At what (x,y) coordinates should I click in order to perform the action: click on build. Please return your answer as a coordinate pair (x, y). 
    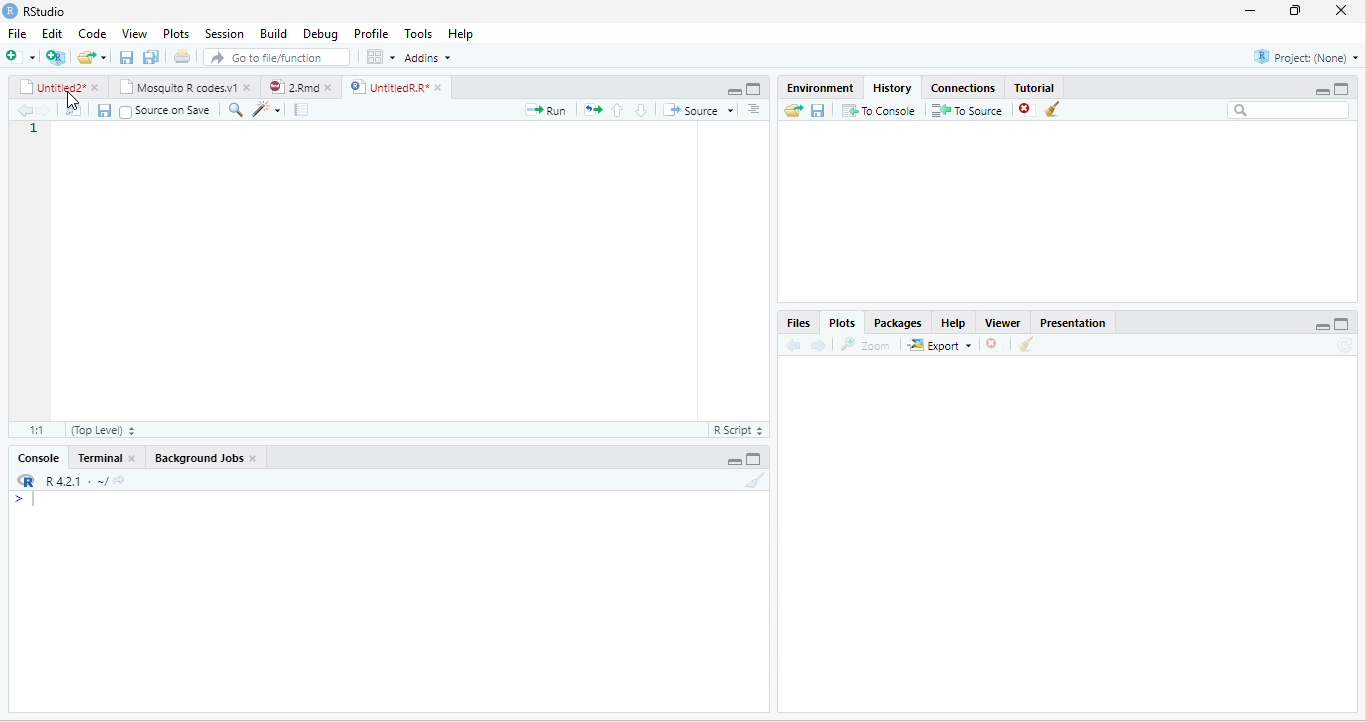
    Looking at the image, I should click on (273, 32).